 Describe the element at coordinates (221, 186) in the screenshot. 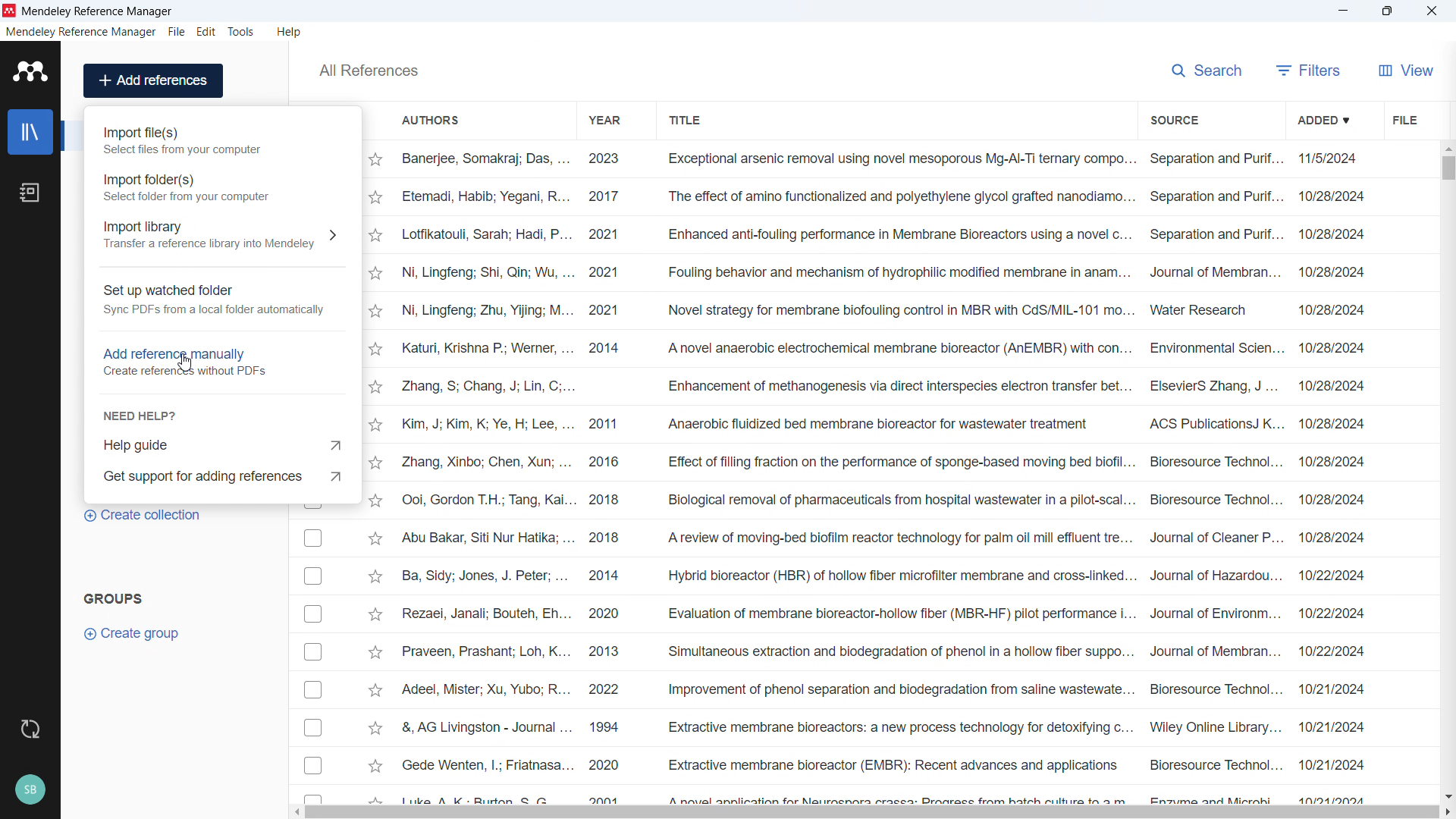

I see `Import folders ` at that location.